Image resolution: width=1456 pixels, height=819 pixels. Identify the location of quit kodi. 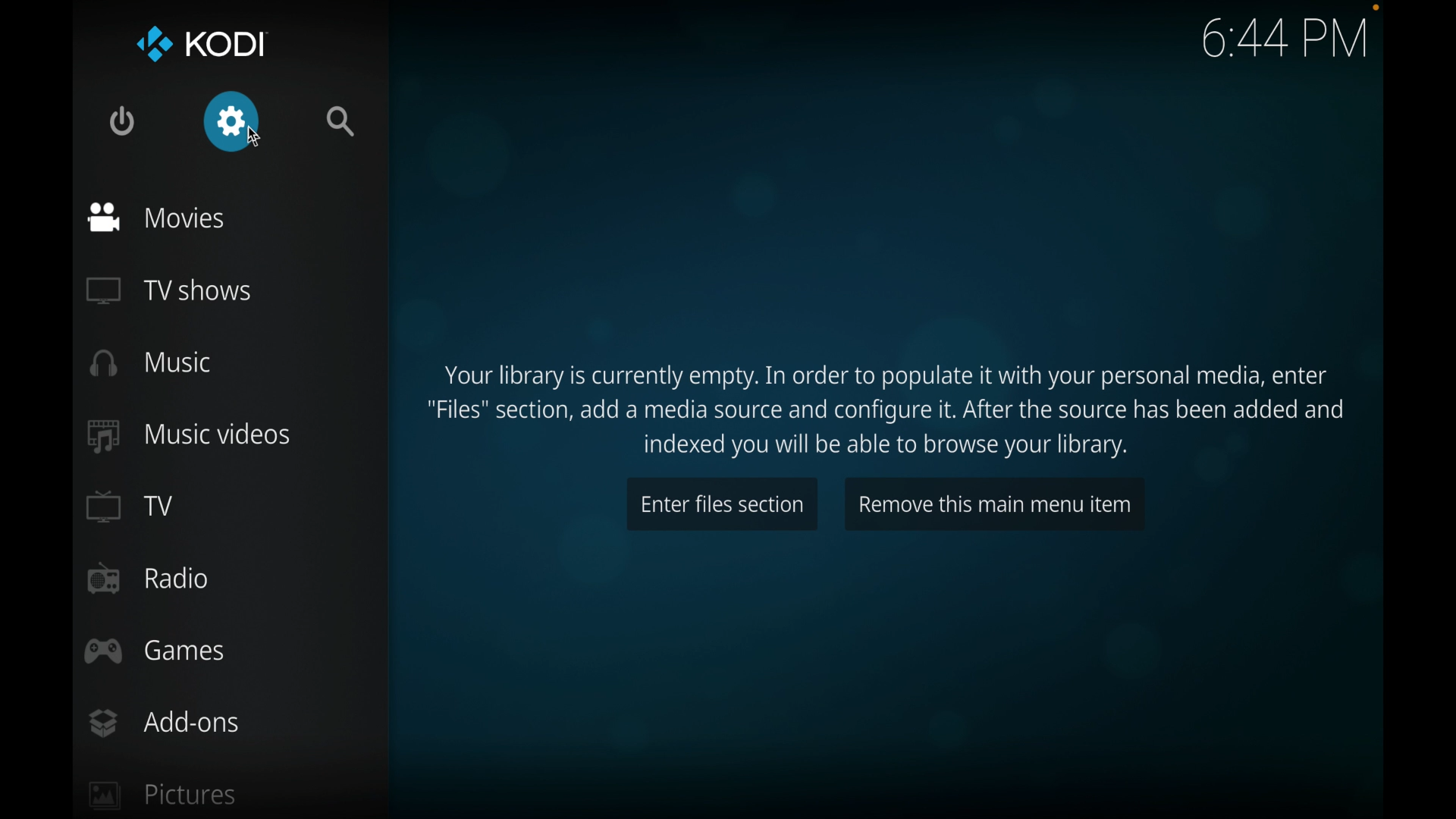
(124, 121).